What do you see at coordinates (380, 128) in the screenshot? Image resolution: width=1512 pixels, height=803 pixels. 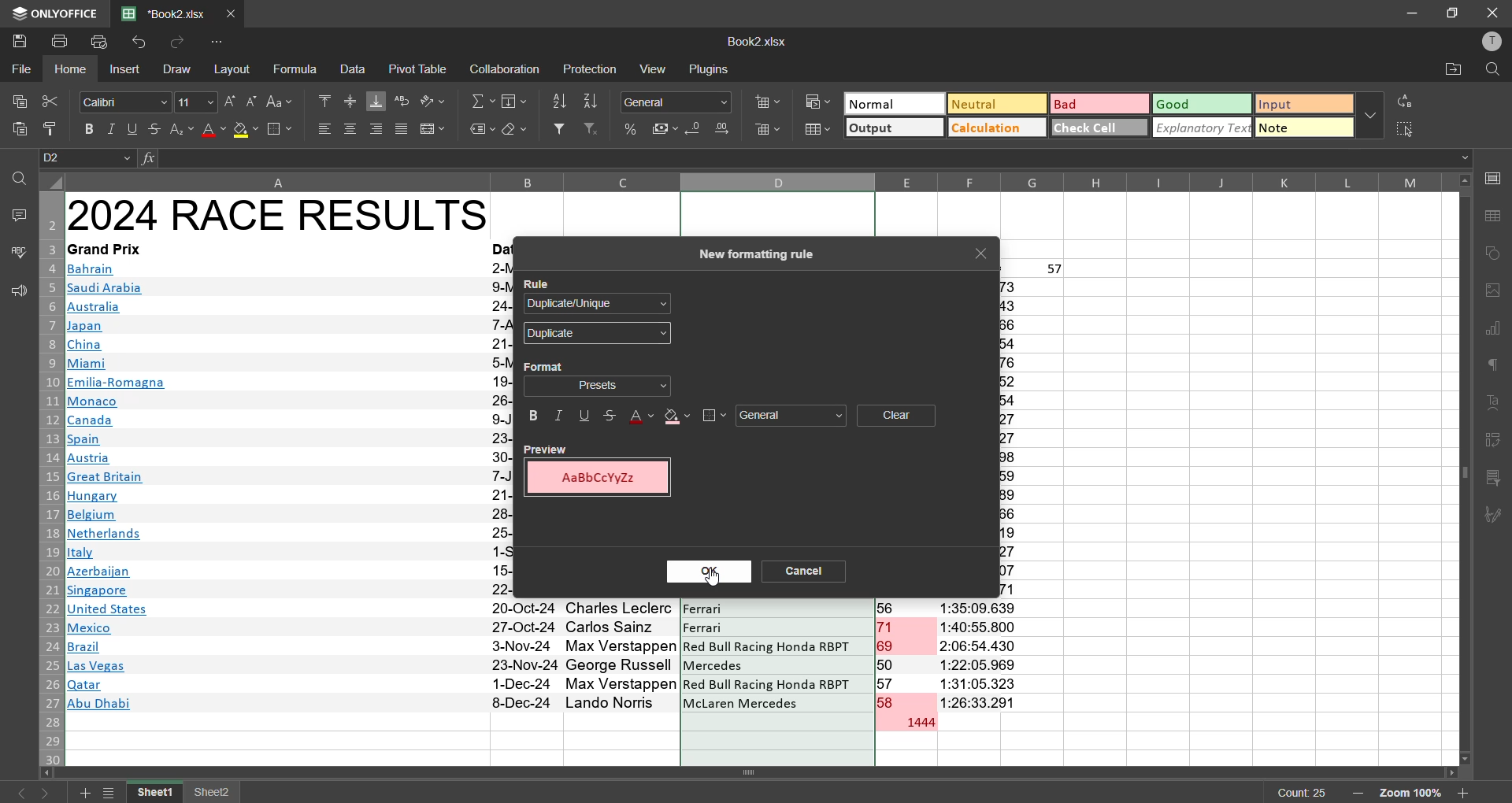 I see `align right` at bounding box center [380, 128].